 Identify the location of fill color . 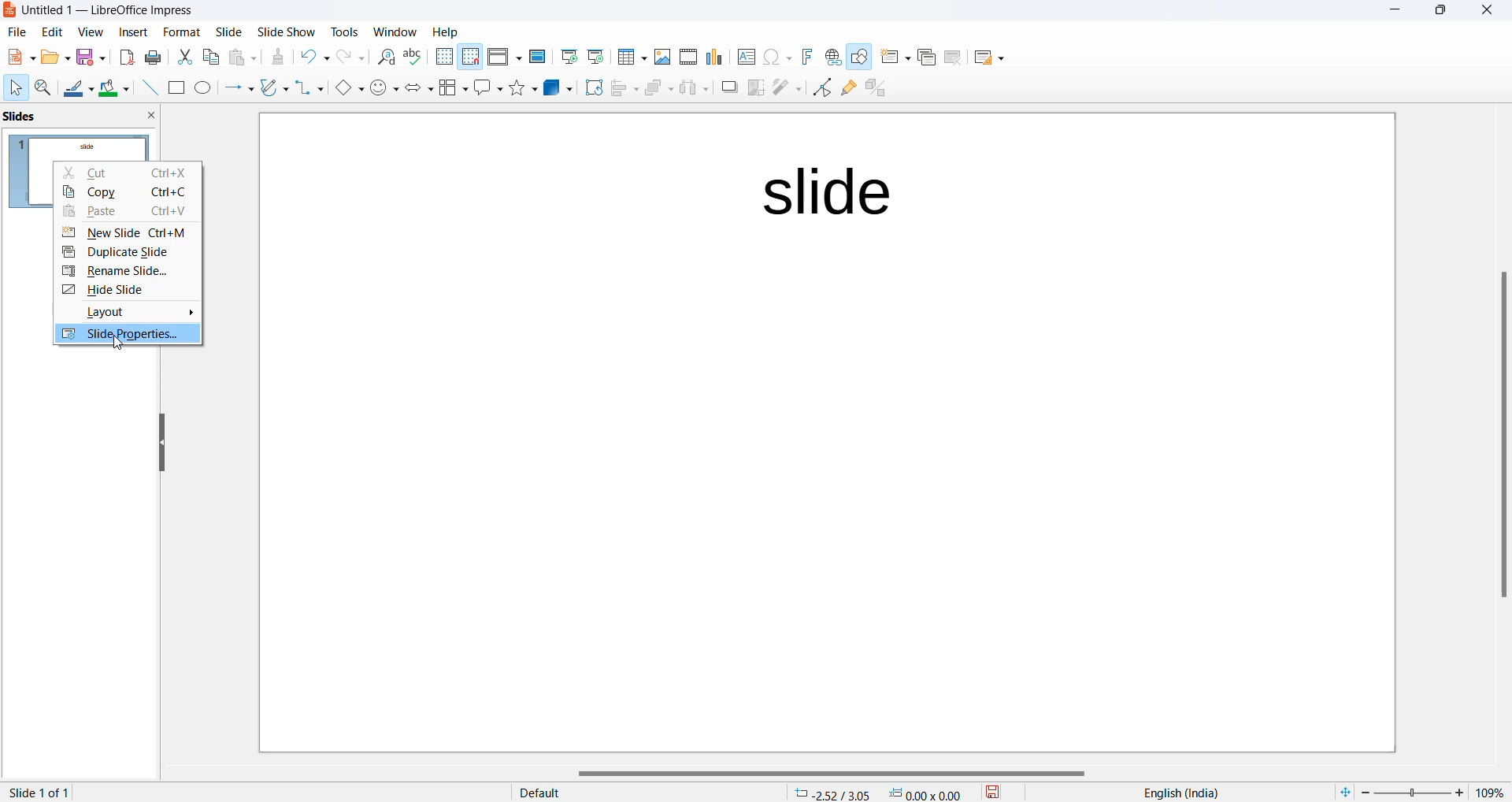
(116, 89).